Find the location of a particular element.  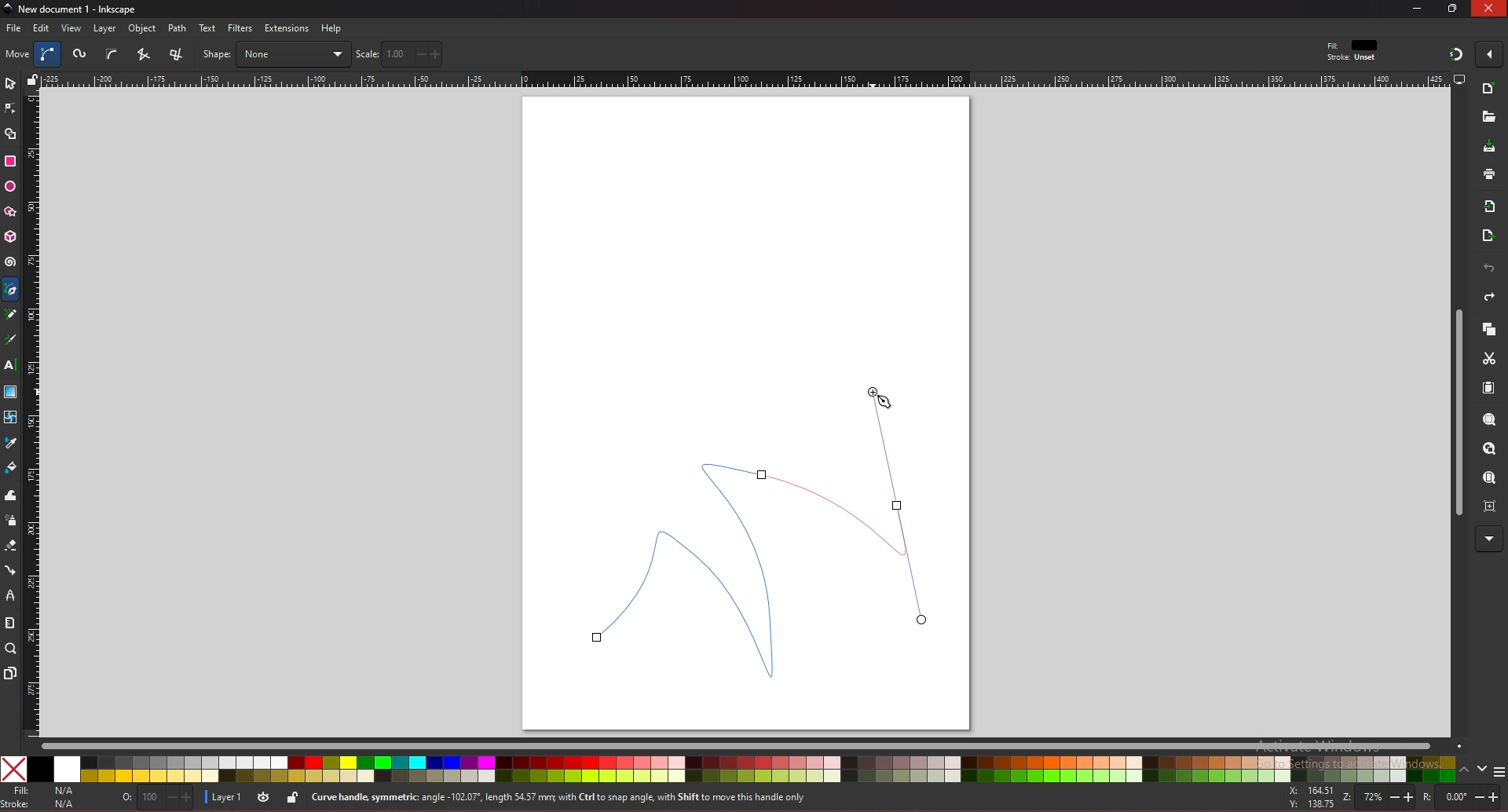

paint bucket is located at coordinates (11, 466).